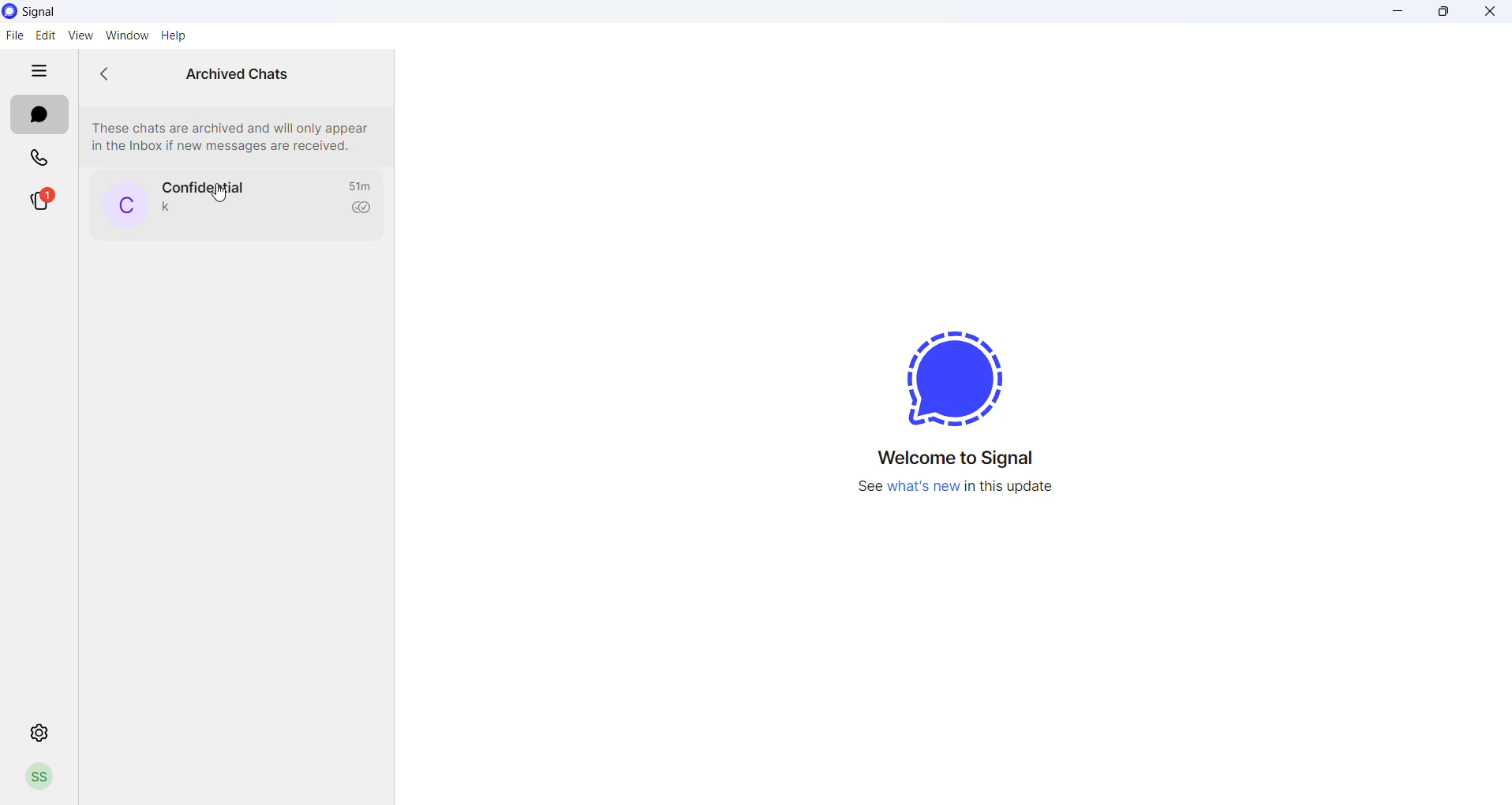 This screenshot has width=1512, height=805. I want to click on Help, so click(175, 36).